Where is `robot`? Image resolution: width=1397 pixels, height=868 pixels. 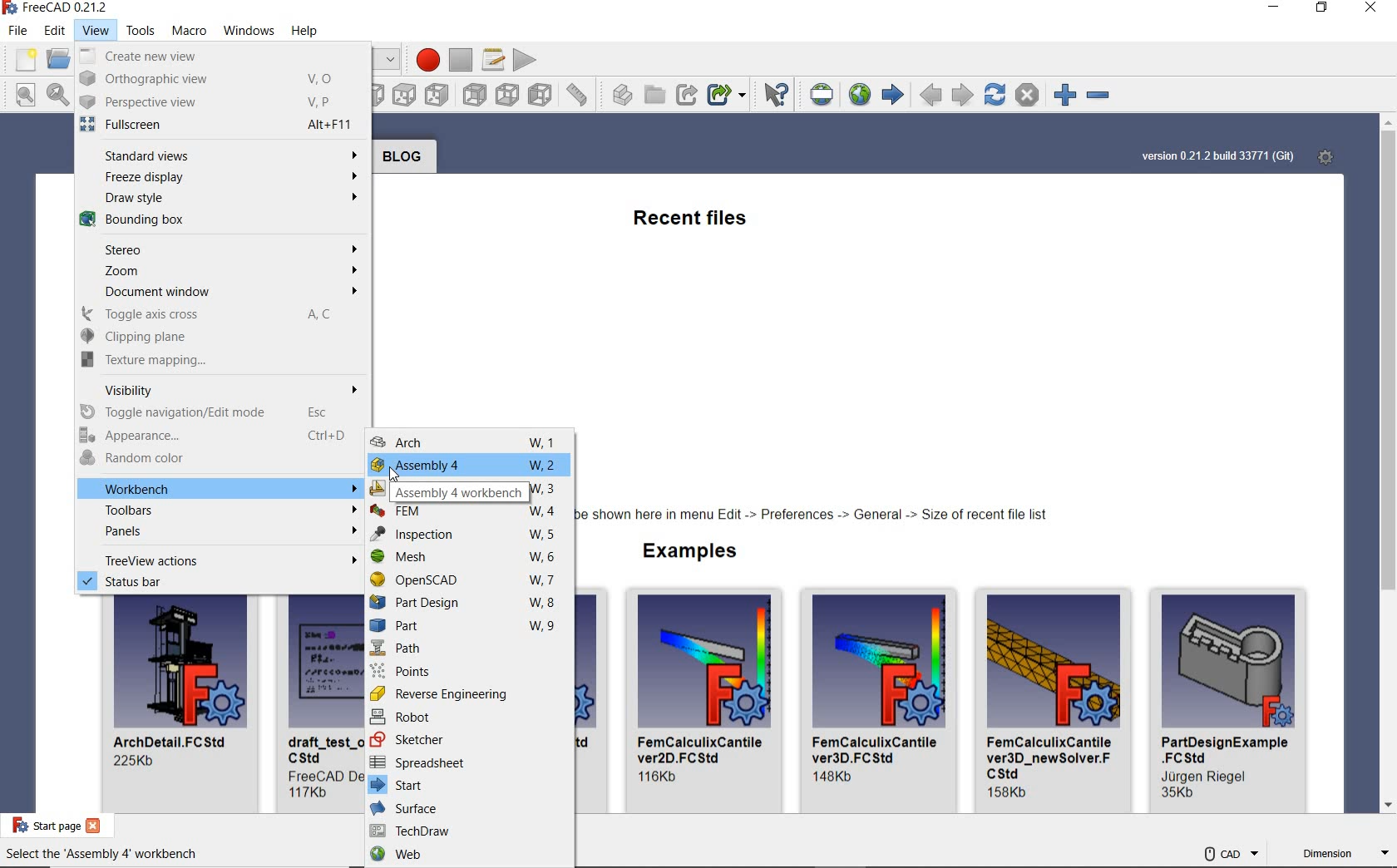 robot is located at coordinates (469, 718).